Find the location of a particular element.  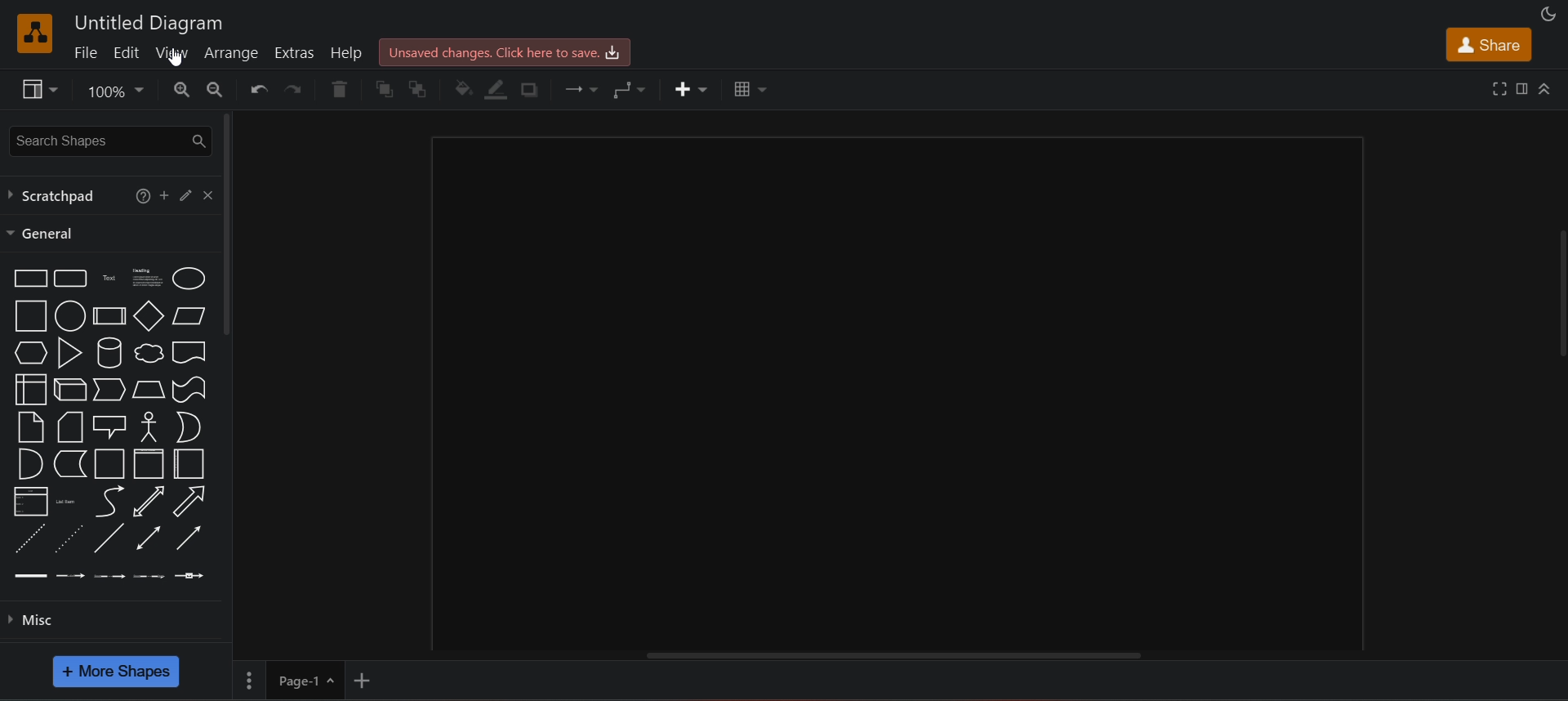

insert is located at coordinates (693, 88).